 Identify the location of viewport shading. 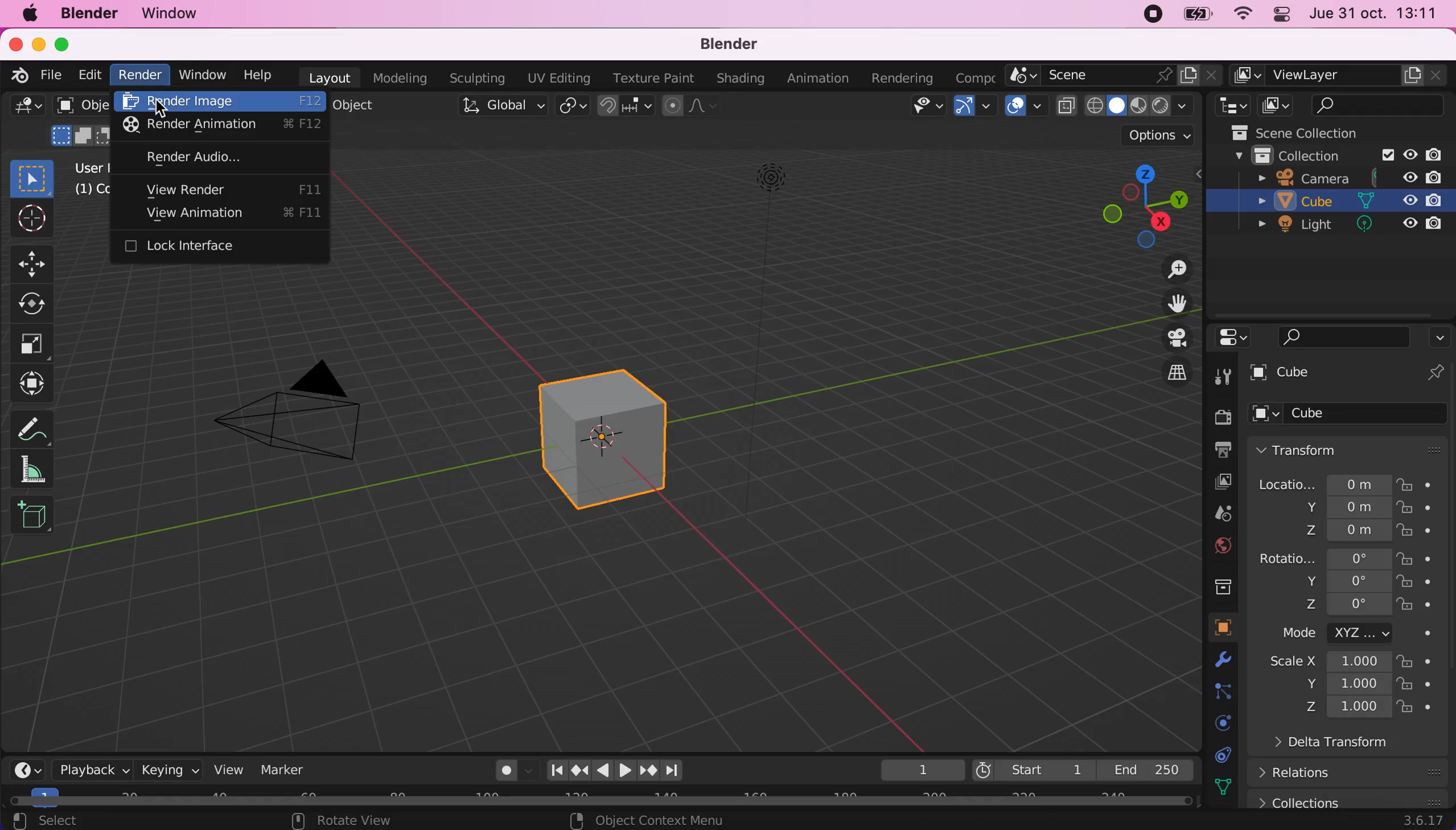
(1125, 106).